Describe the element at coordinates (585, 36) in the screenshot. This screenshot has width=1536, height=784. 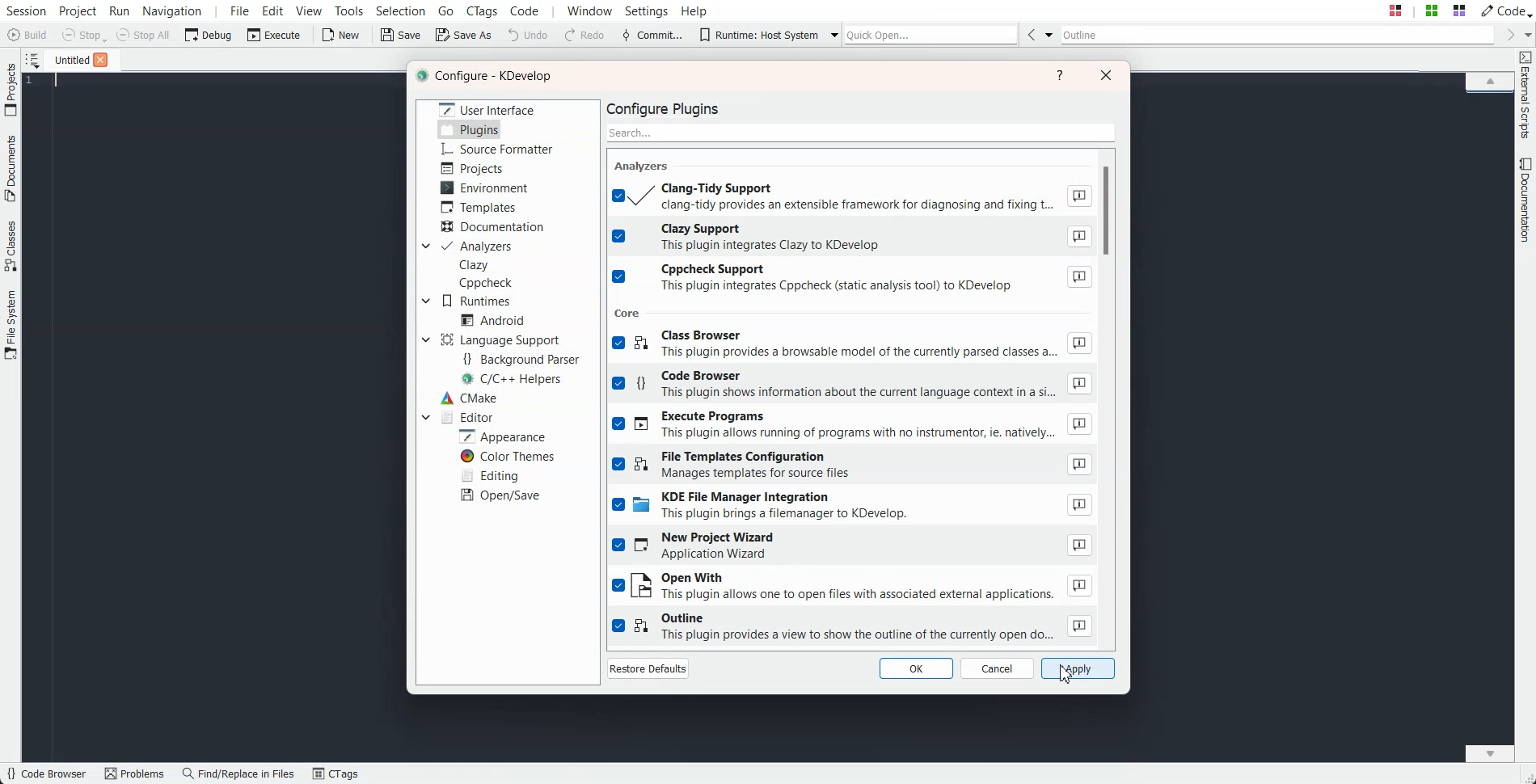
I see `Redo` at that location.